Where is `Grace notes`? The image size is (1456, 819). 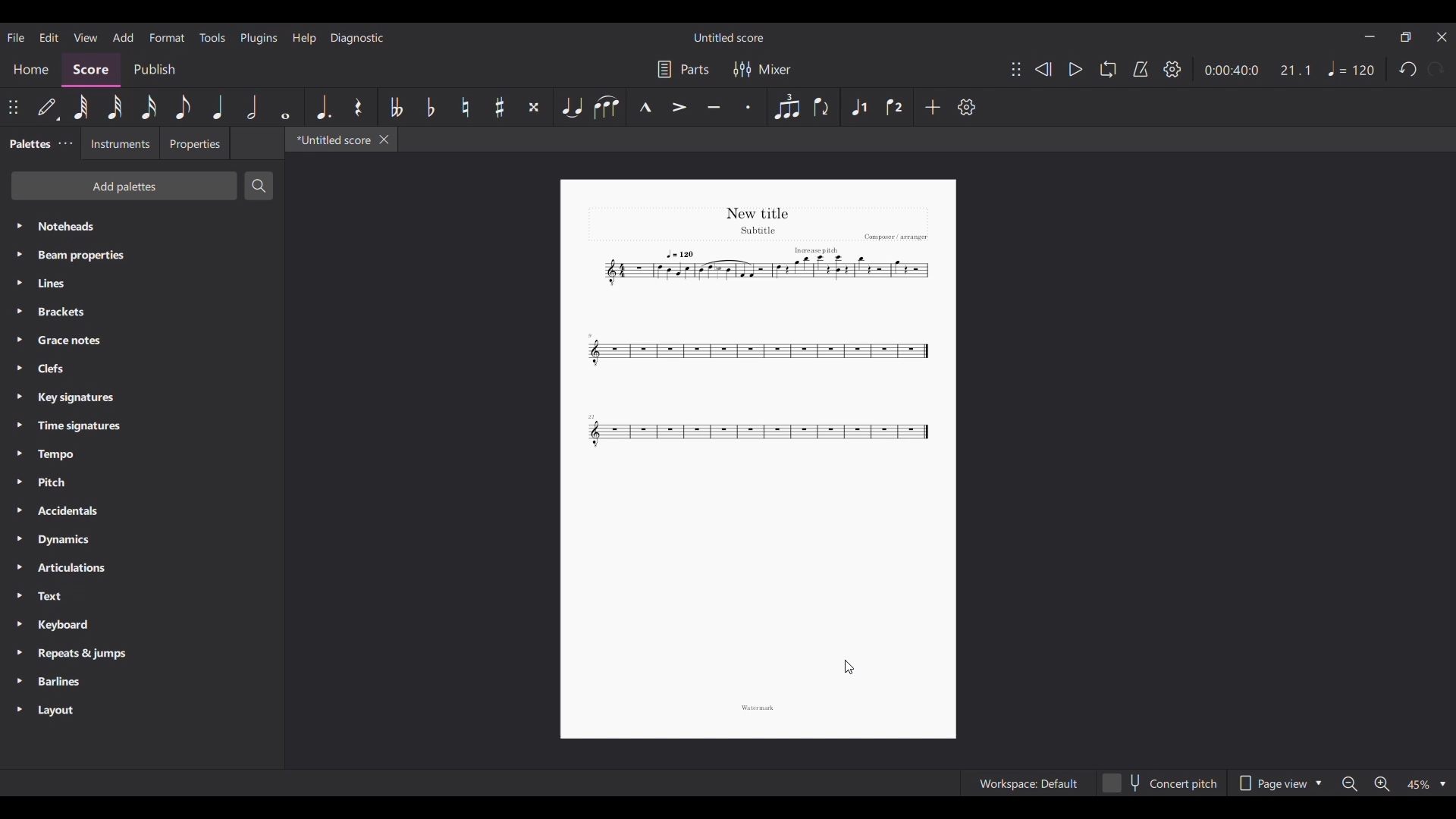
Grace notes is located at coordinates (143, 340).